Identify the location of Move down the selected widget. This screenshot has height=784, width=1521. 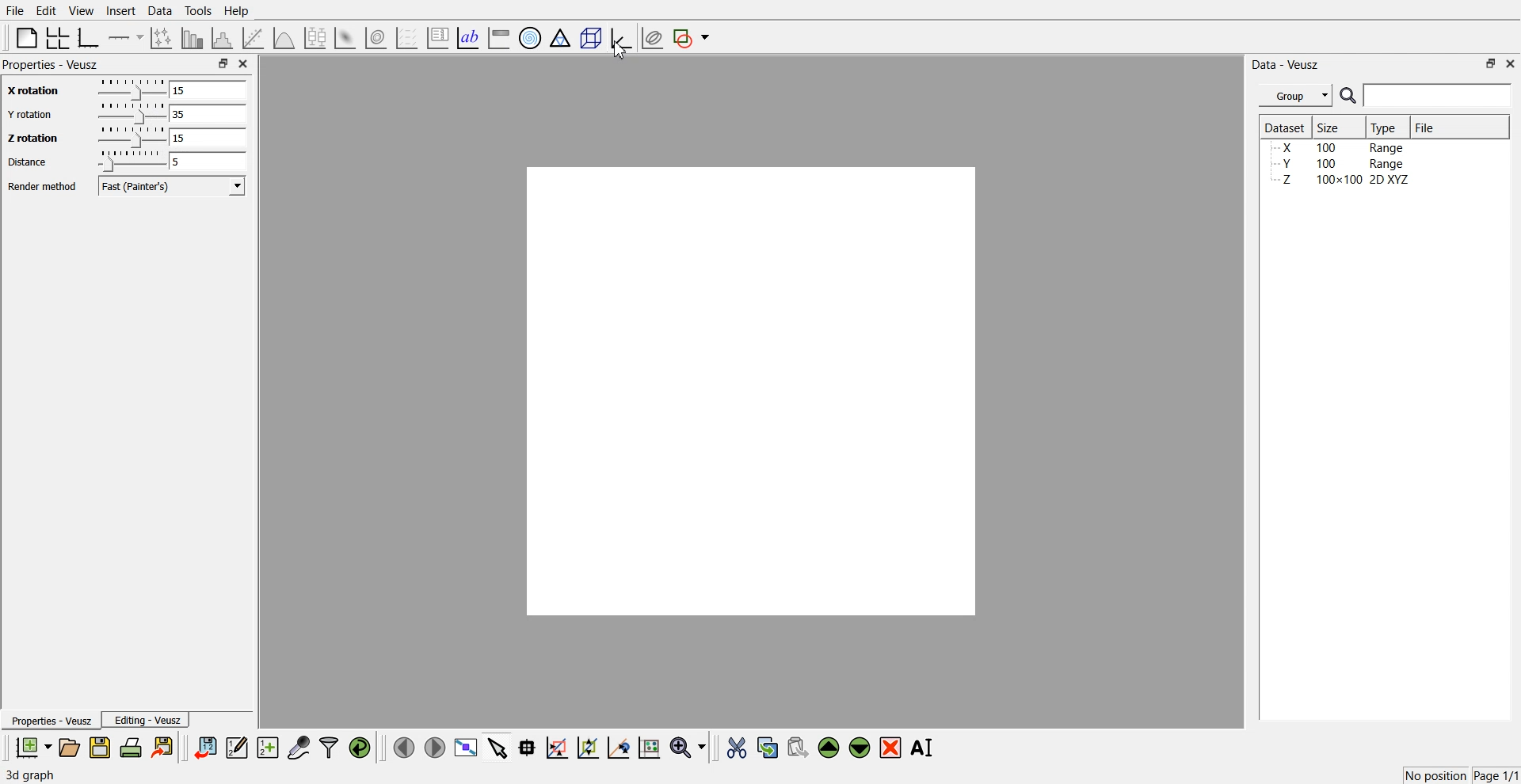
(860, 748).